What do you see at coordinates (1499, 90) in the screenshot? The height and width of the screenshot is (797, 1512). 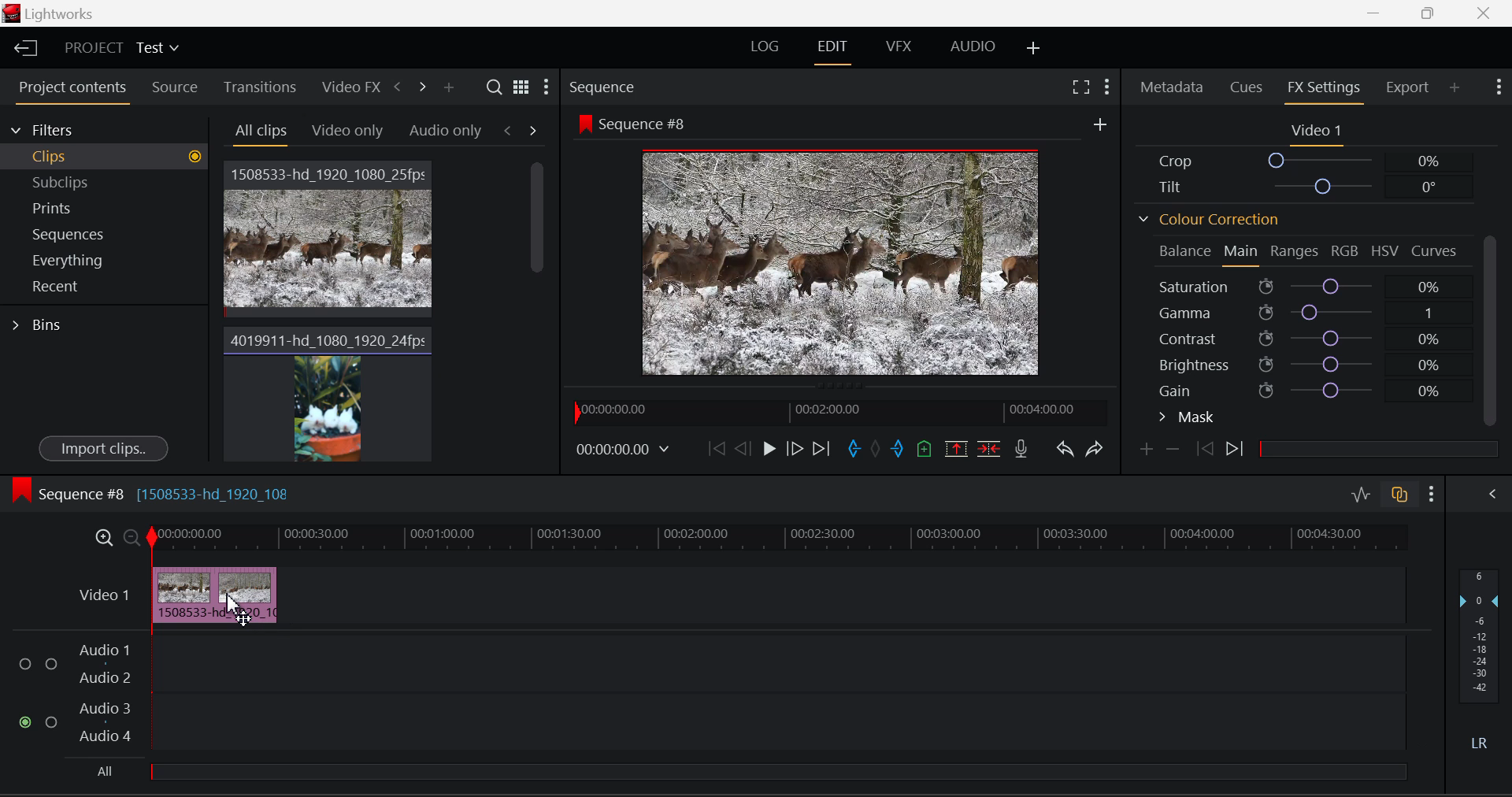 I see `Show Settings` at bounding box center [1499, 90].